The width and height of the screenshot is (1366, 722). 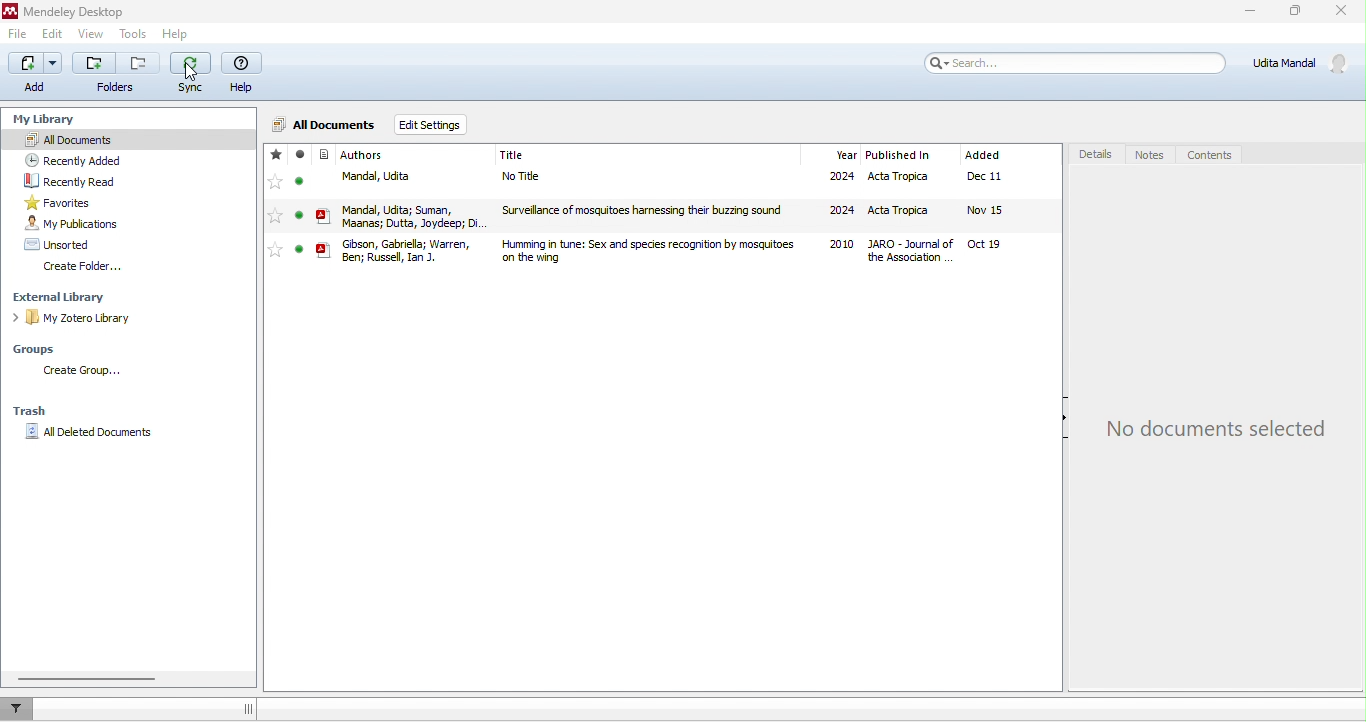 What do you see at coordinates (37, 74) in the screenshot?
I see `add` at bounding box center [37, 74].